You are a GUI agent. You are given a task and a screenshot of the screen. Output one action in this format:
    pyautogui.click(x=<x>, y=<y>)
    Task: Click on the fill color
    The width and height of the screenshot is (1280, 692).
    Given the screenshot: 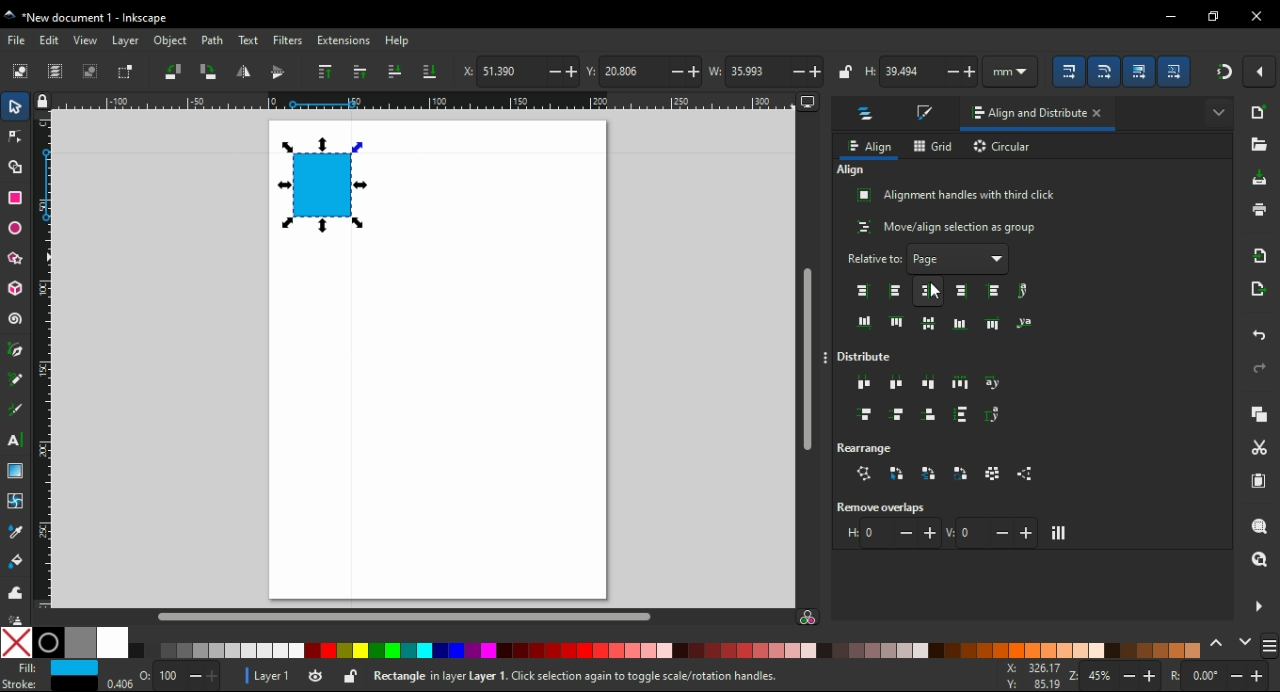 What is the action you would take?
    pyautogui.click(x=52, y=668)
    